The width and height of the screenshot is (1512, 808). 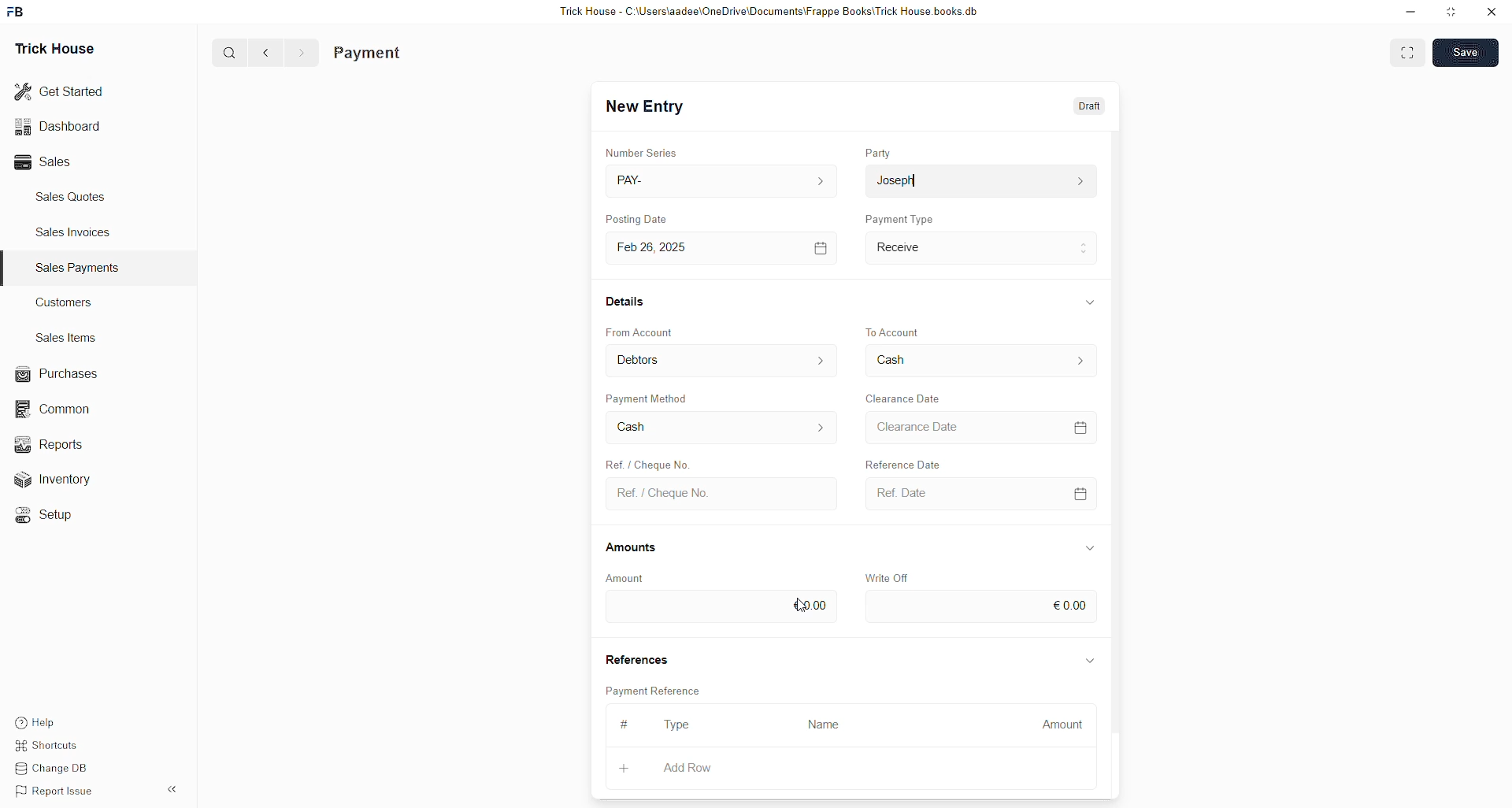 What do you see at coordinates (885, 578) in the screenshot?
I see `Write Off` at bounding box center [885, 578].